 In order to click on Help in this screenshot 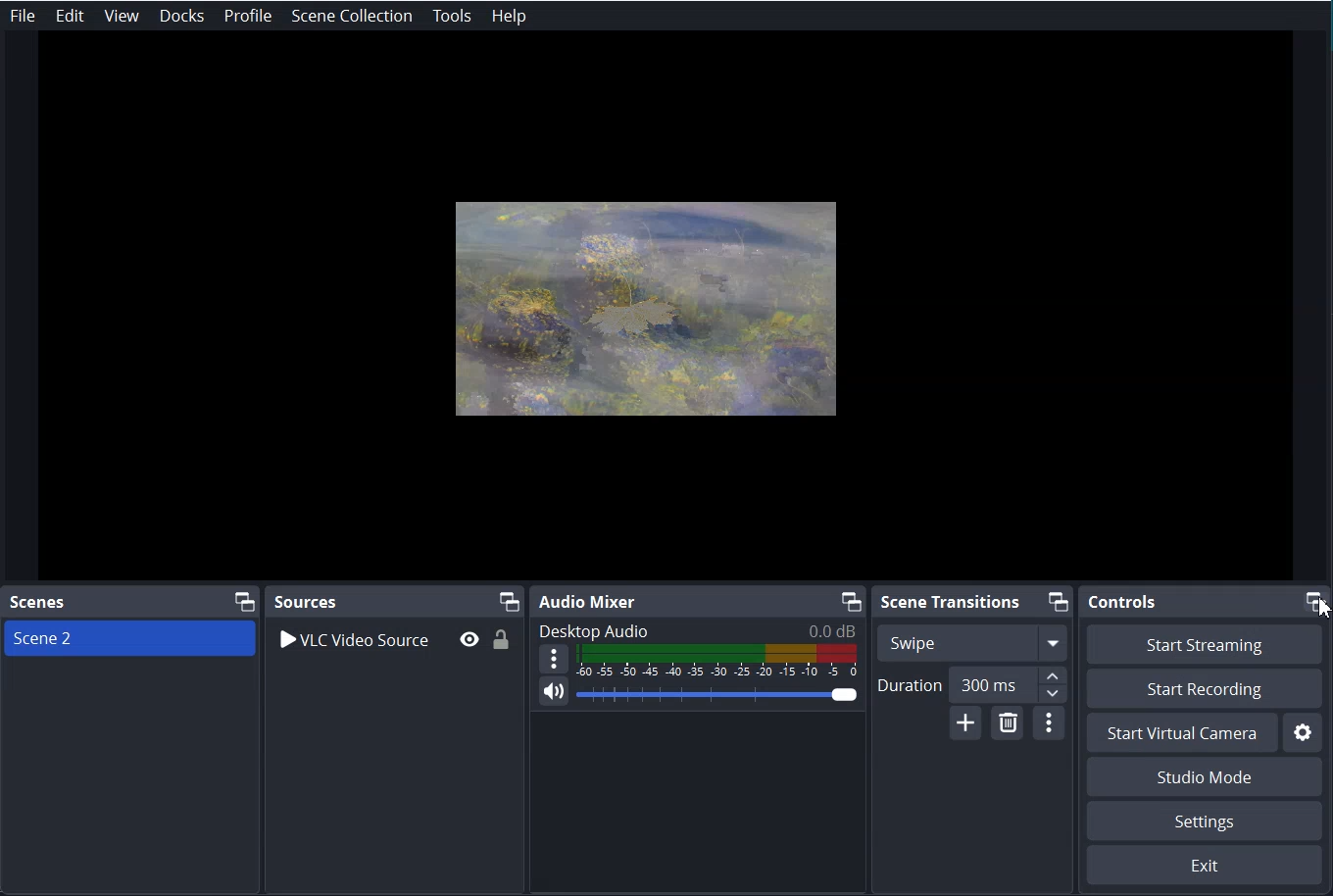, I will do `click(510, 16)`.